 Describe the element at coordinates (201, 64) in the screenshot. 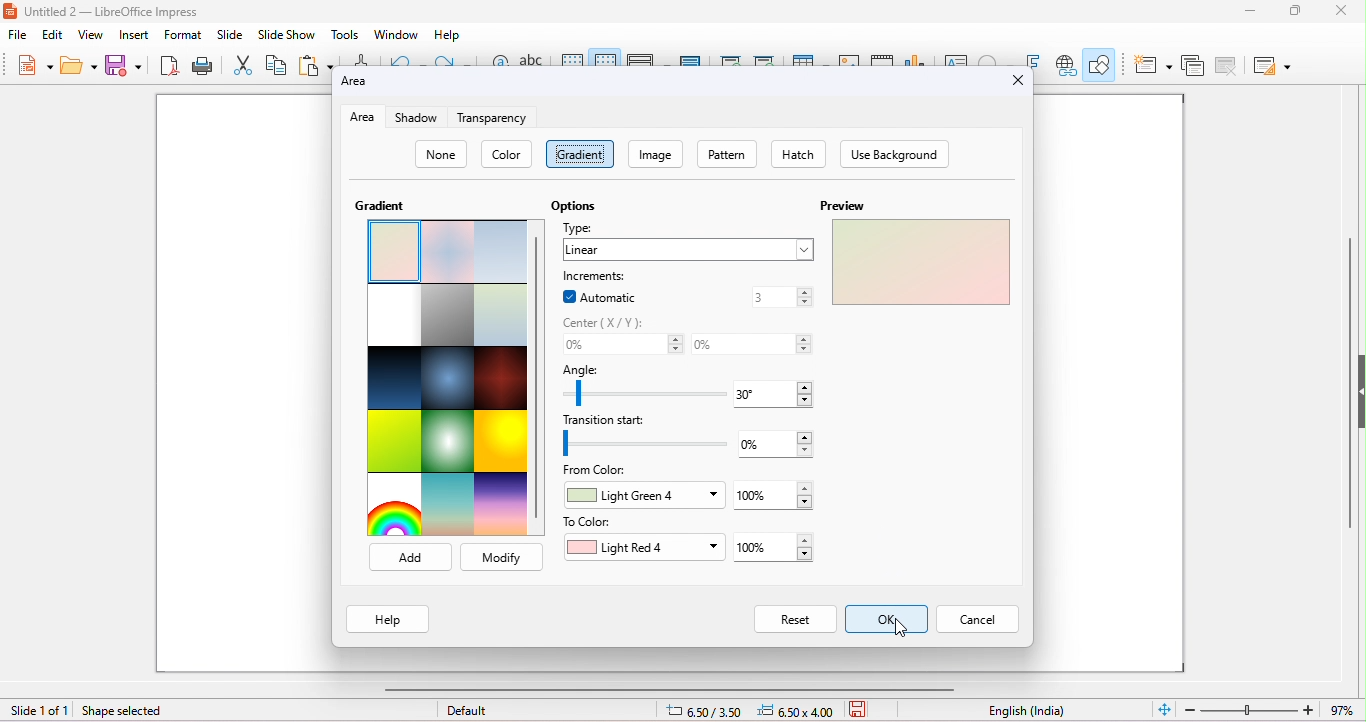

I see `print` at that location.